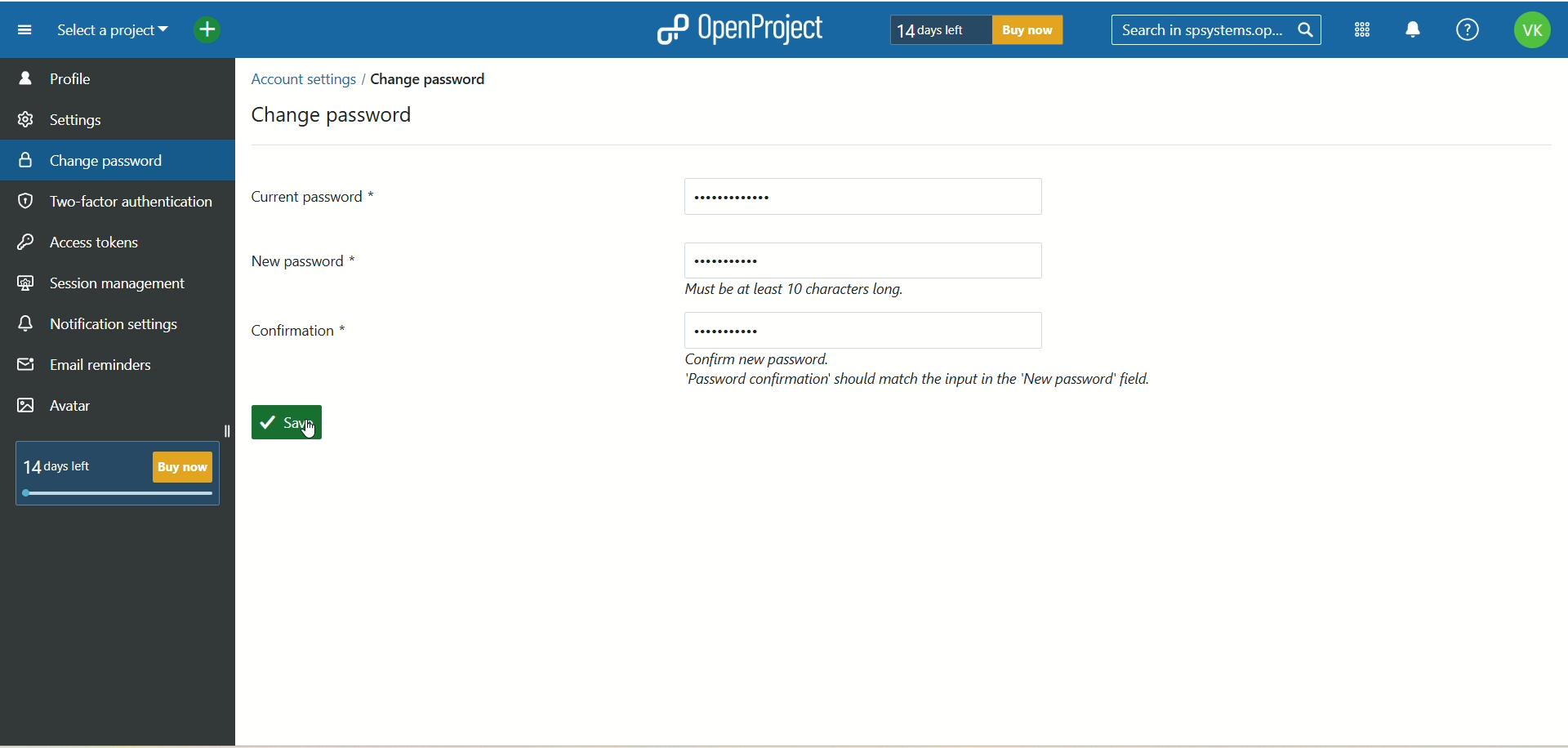 The image size is (1568, 748). What do you see at coordinates (315, 195) in the screenshot?
I see `current password` at bounding box center [315, 195].